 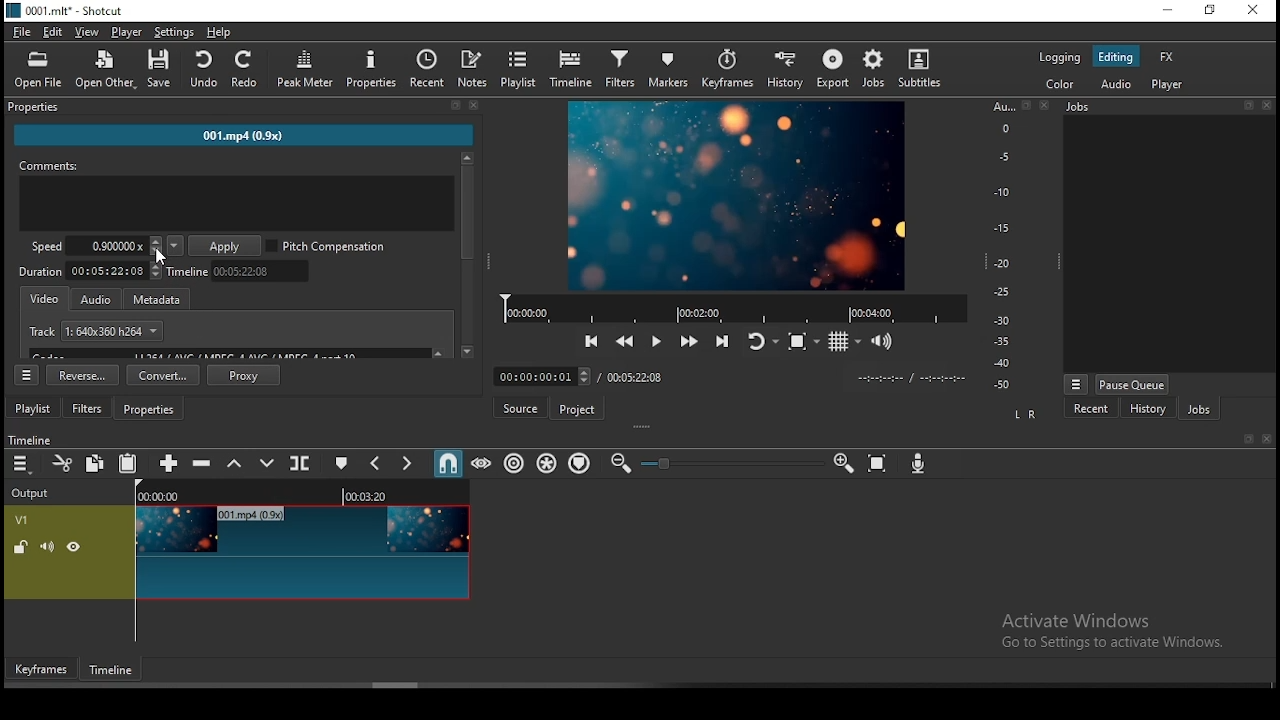 I want to click on view/hide, so click(x=77, y=548).